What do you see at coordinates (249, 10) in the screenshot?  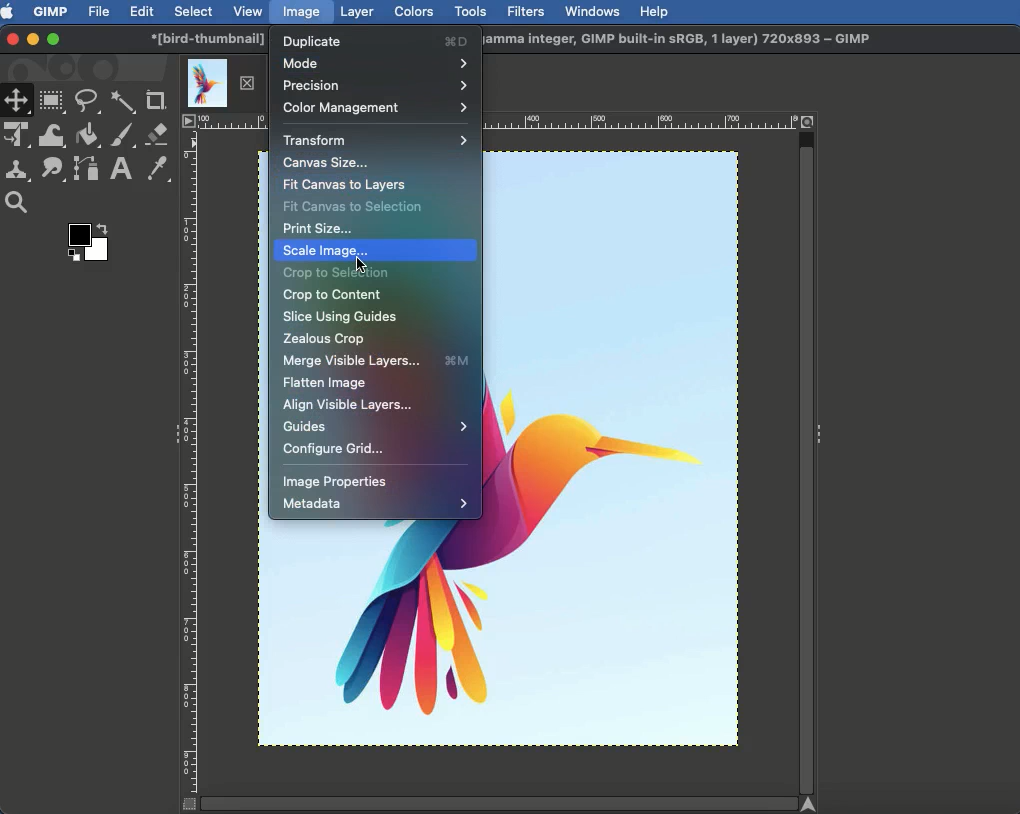 I see `View` at bounding box center [249, 10].